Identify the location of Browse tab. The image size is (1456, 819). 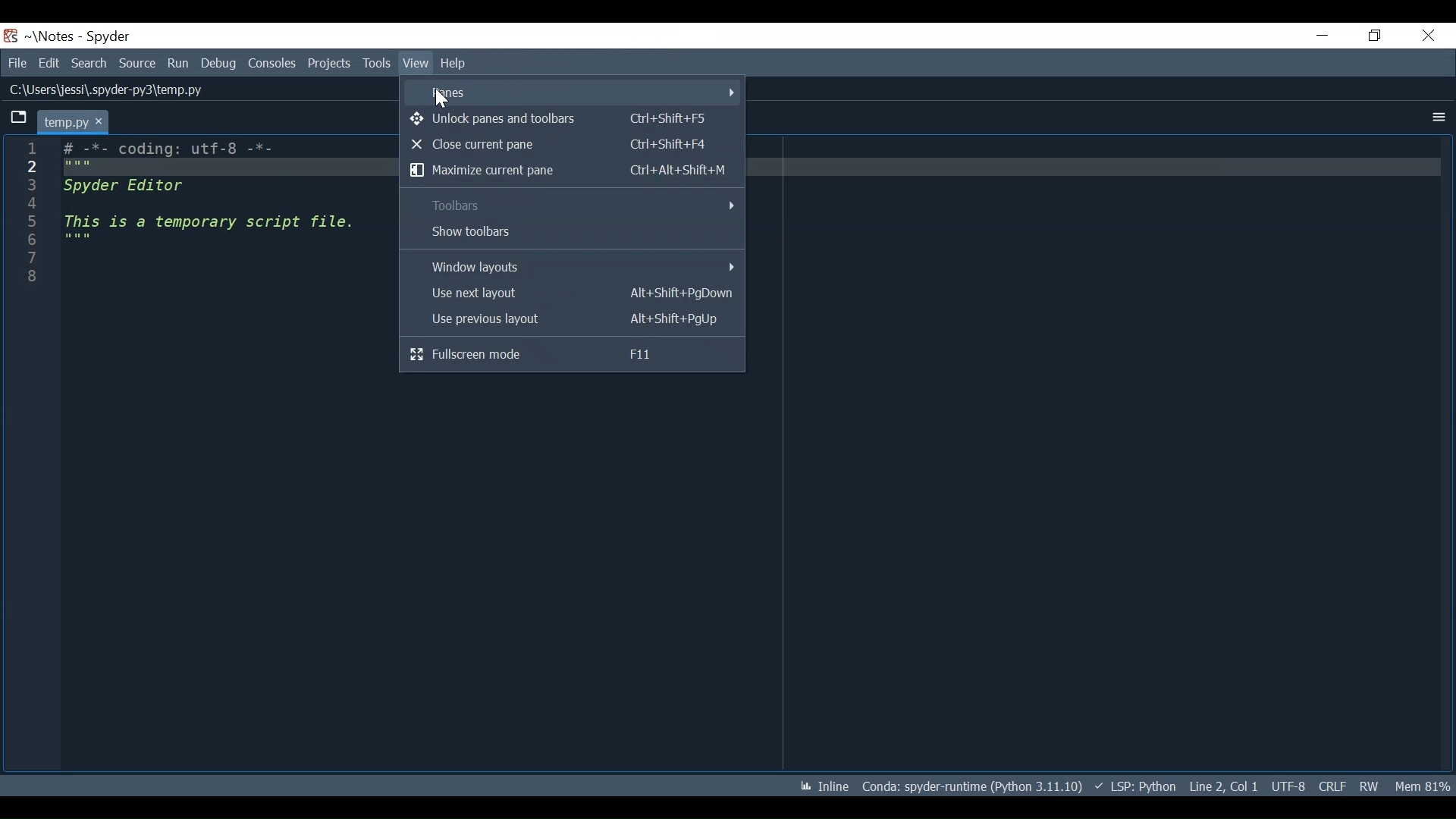
(18, 119).